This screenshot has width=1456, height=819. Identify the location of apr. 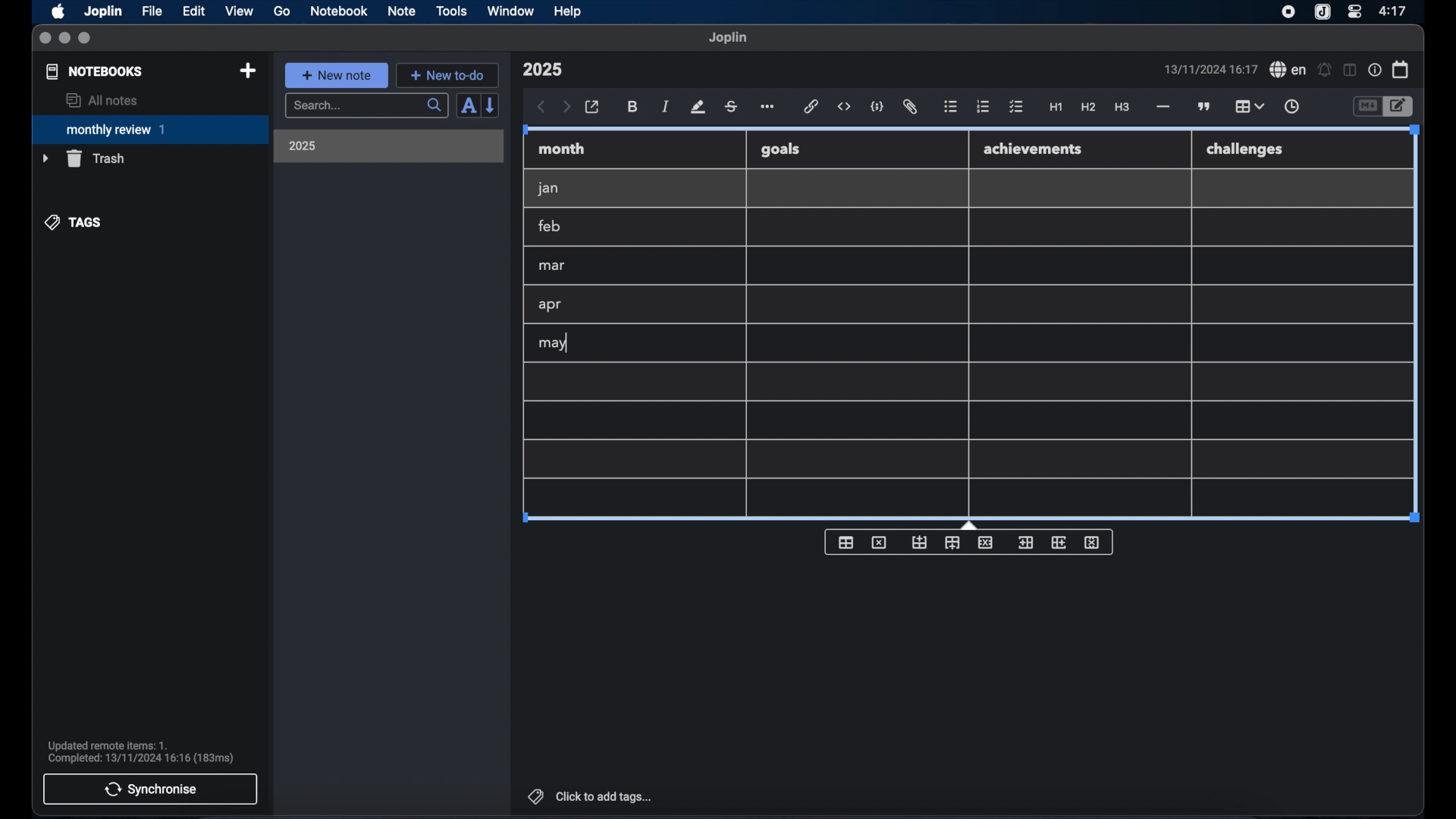
(551, 305).